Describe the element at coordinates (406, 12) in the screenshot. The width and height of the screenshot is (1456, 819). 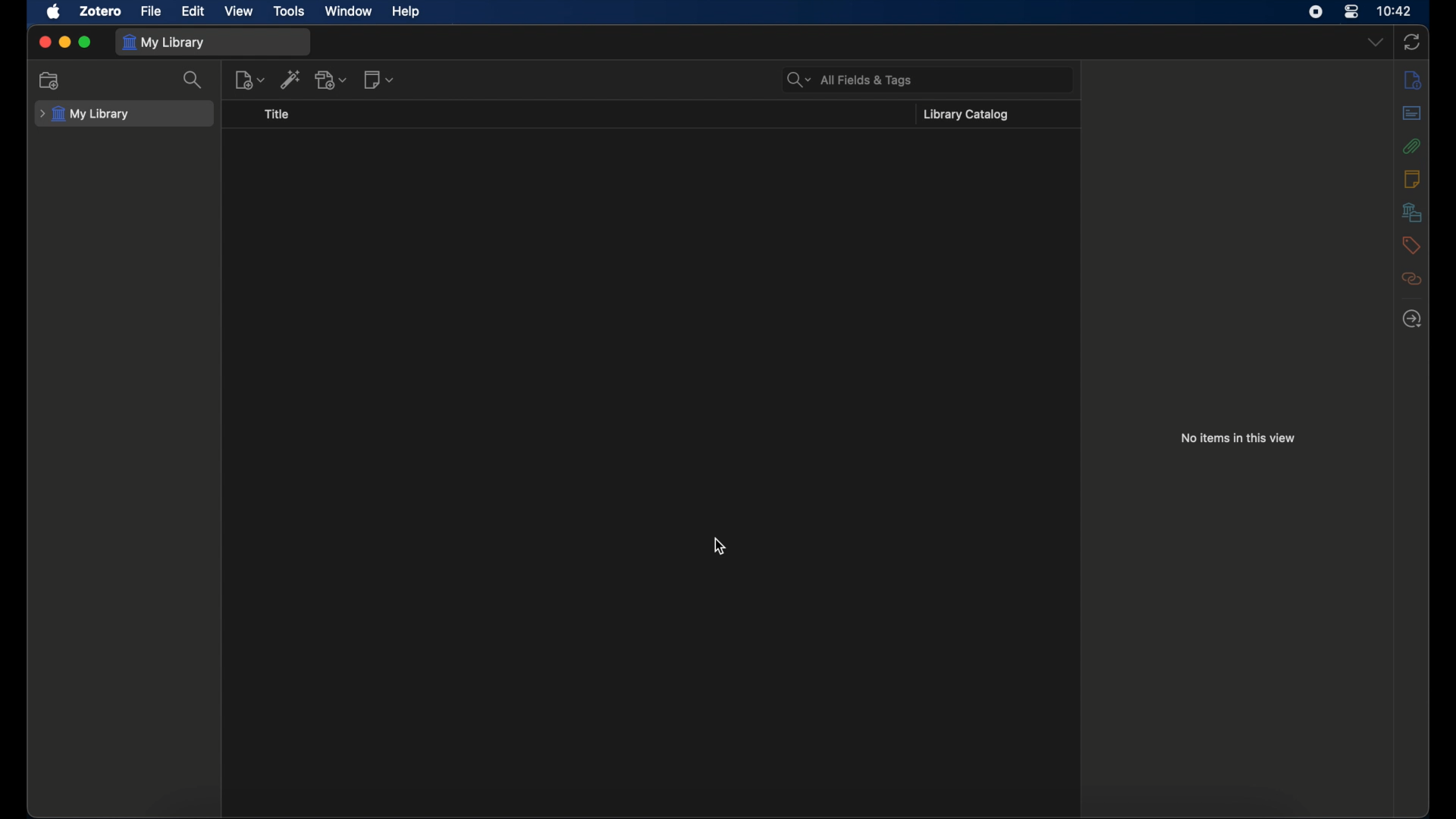
I see `help` at that location.